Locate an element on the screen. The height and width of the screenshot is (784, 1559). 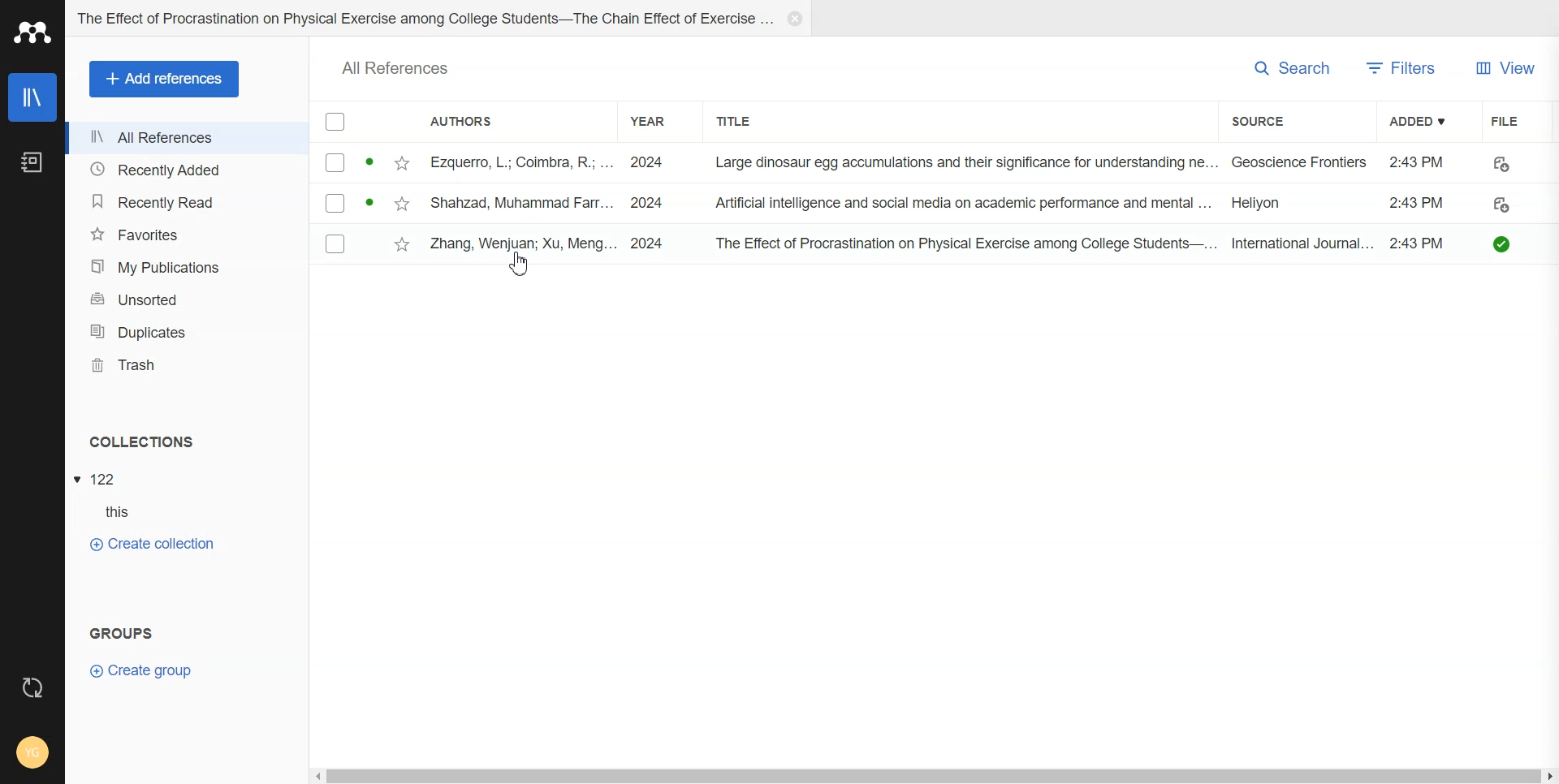
Library is located at coordinates (32, 97).